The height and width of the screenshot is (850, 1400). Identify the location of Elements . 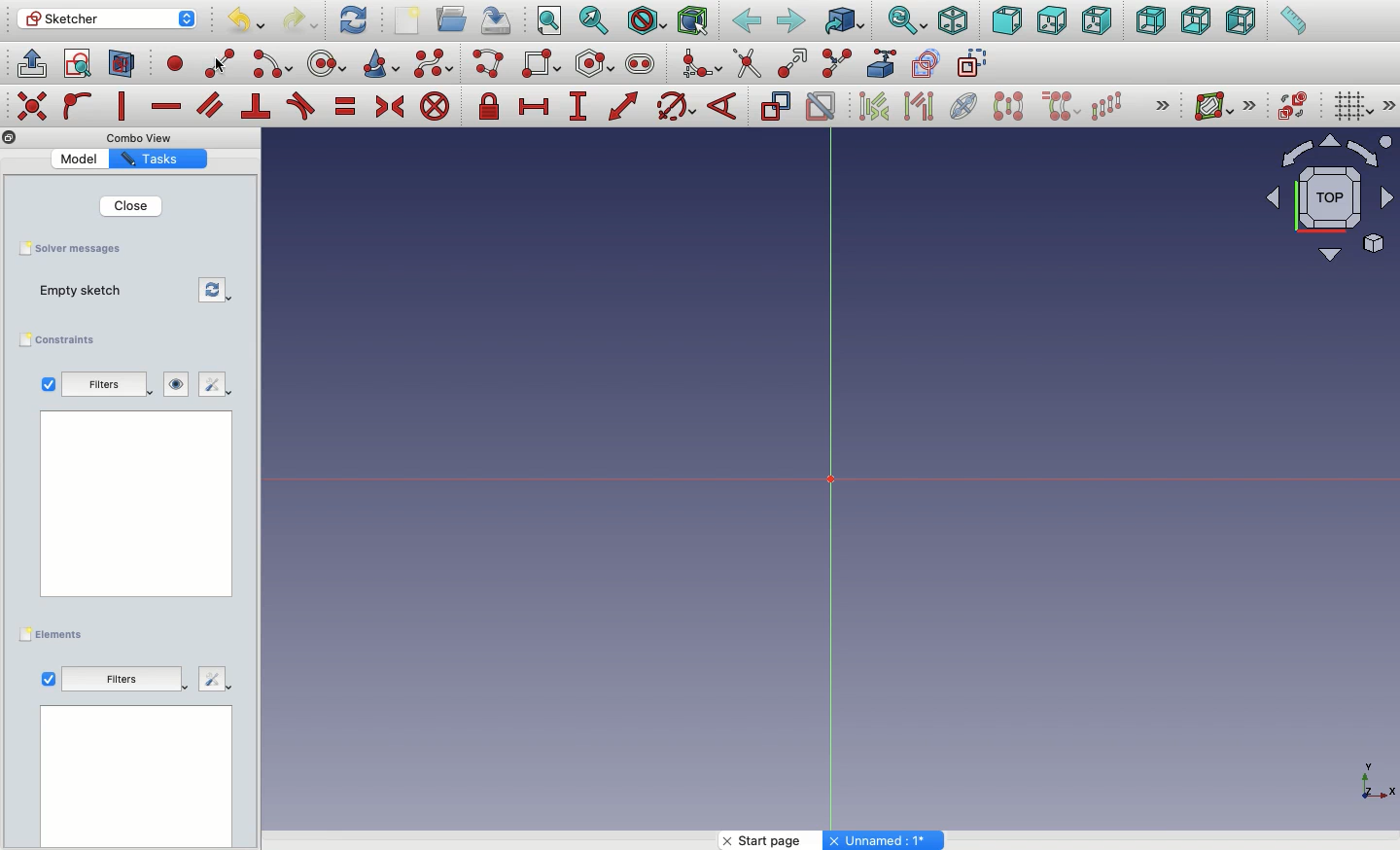
(55, 633).